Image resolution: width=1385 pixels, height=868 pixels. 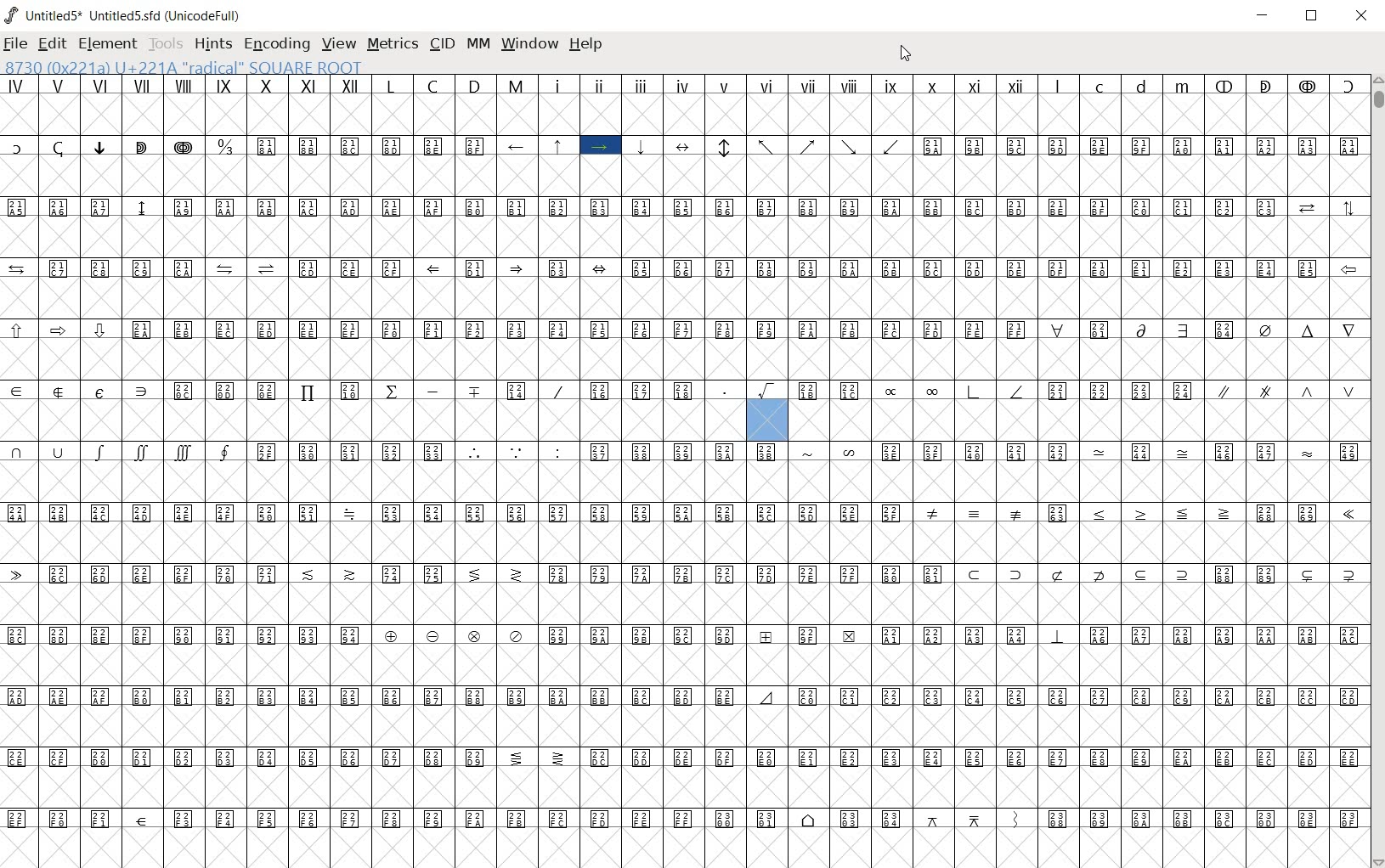 What do you see at coordinates (586, 45) in the screenshot?
I see `HELP` at bounding box center [586, 45].